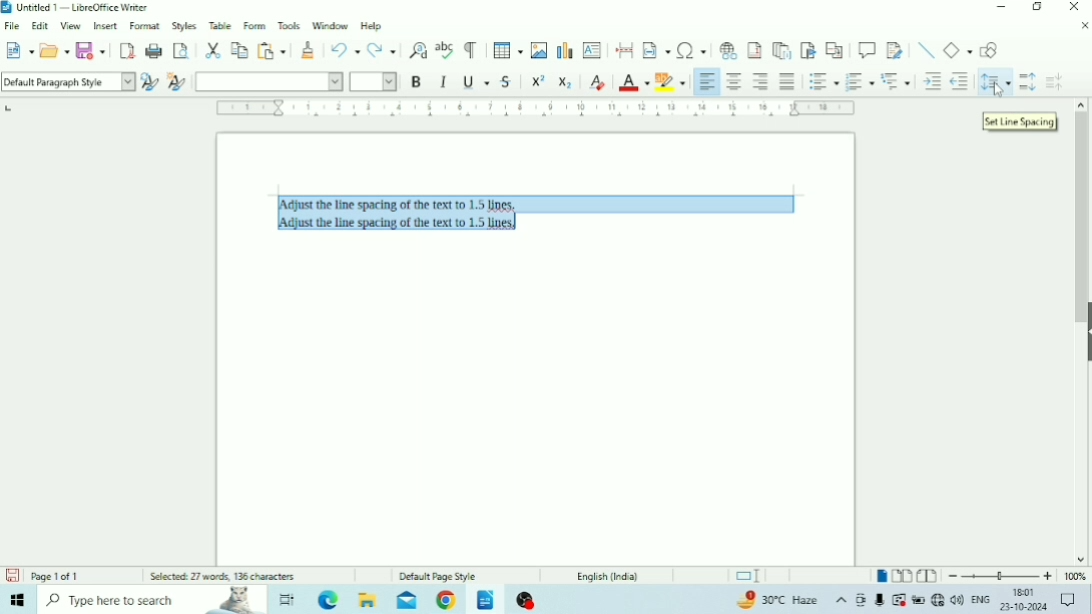 This screenshot has height=614, width=1092. I want to click on File Explorer, so click(367, 599).